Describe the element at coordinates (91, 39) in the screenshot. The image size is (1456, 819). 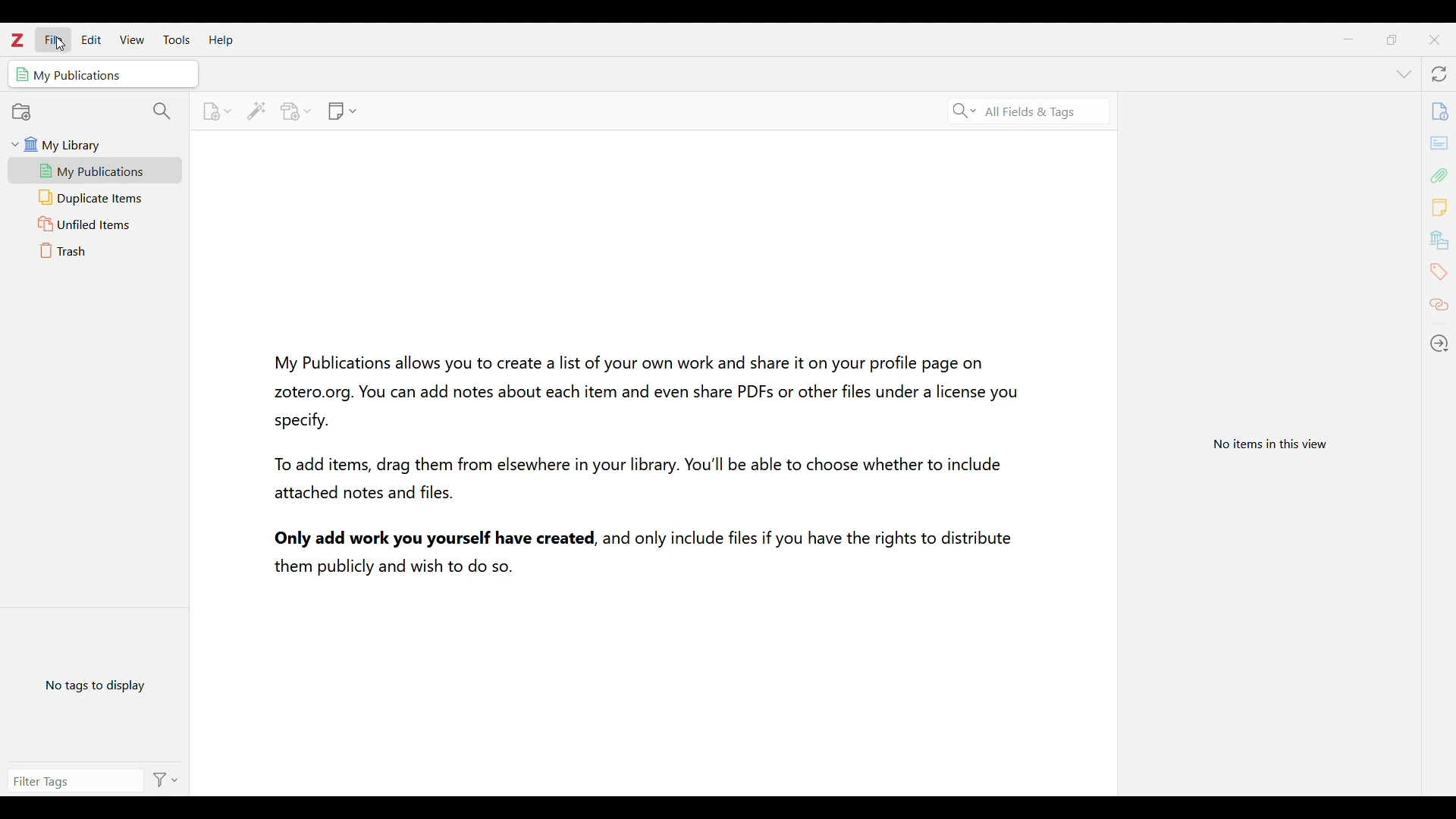
I see `Edit` at that location.